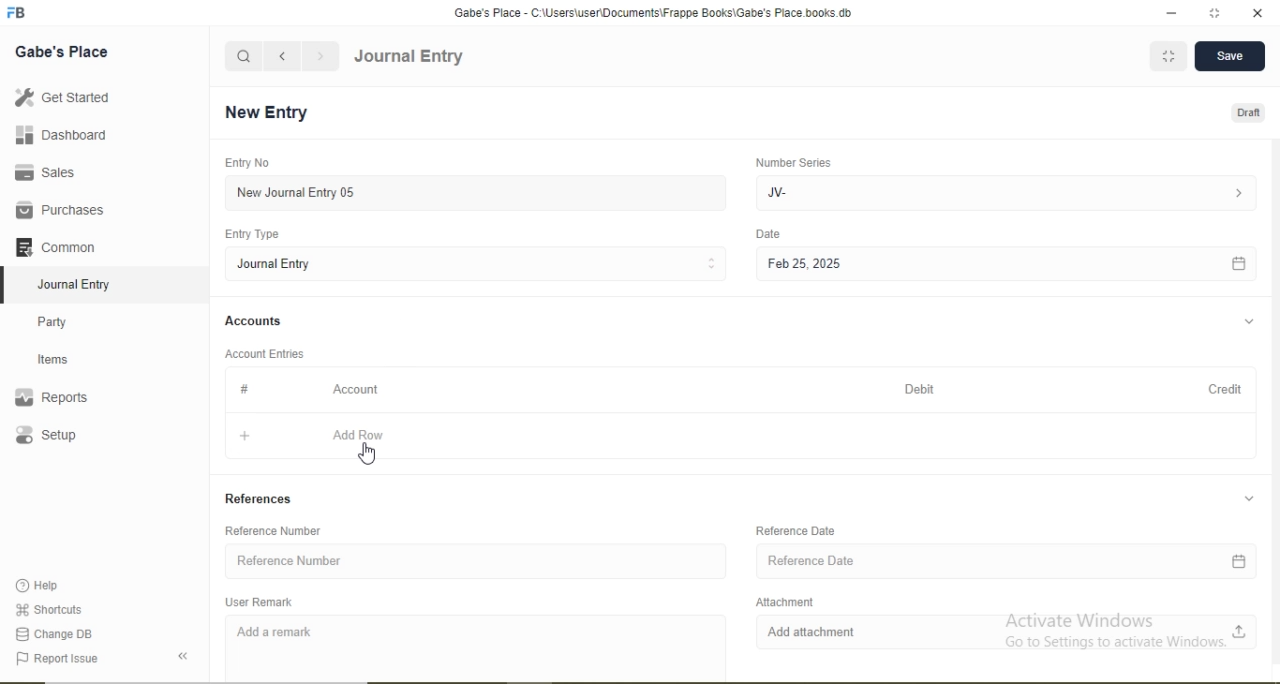  I want to click on logo, so click(18, 13).